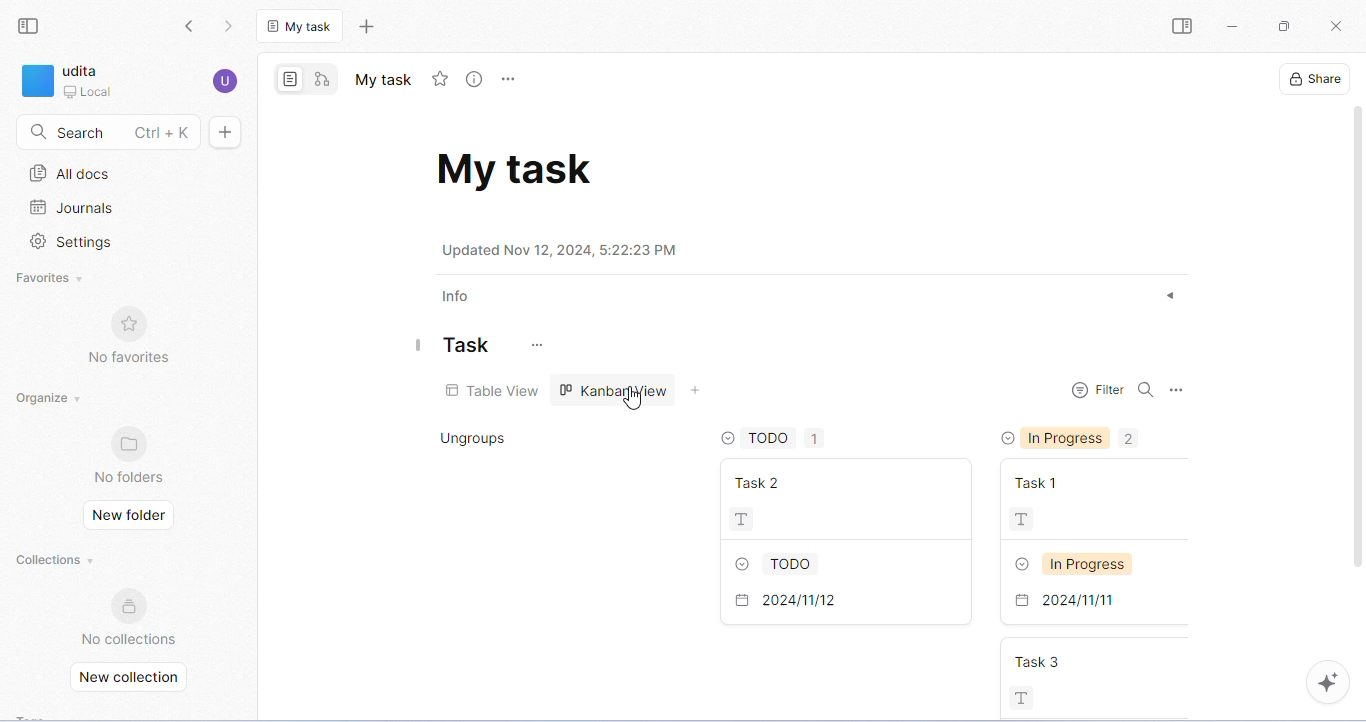 Image resolution: width=1366 pixels, height=722 pixels. I want to click on edgeless mode, so click(324, 81).